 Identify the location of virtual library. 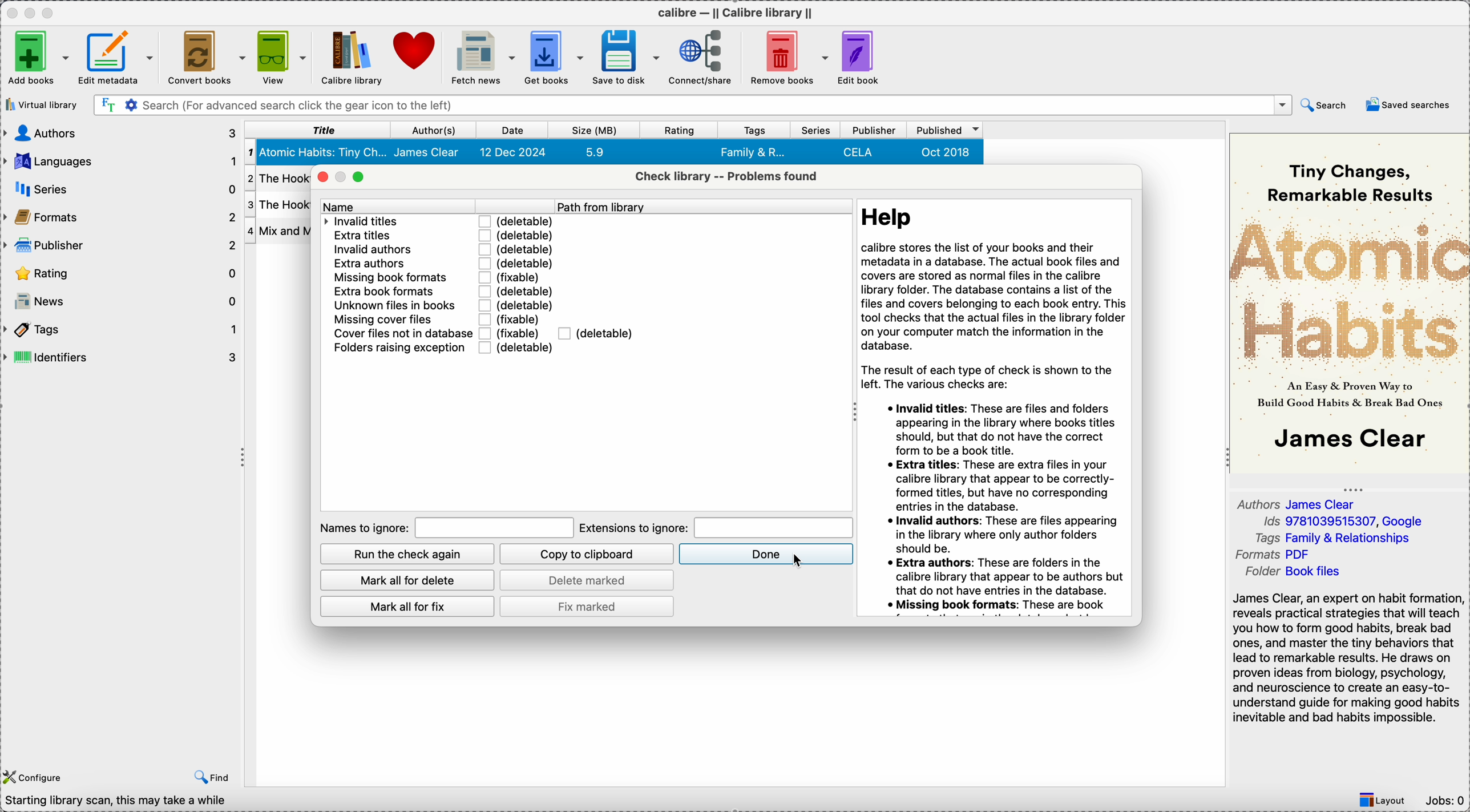
(41, 104).